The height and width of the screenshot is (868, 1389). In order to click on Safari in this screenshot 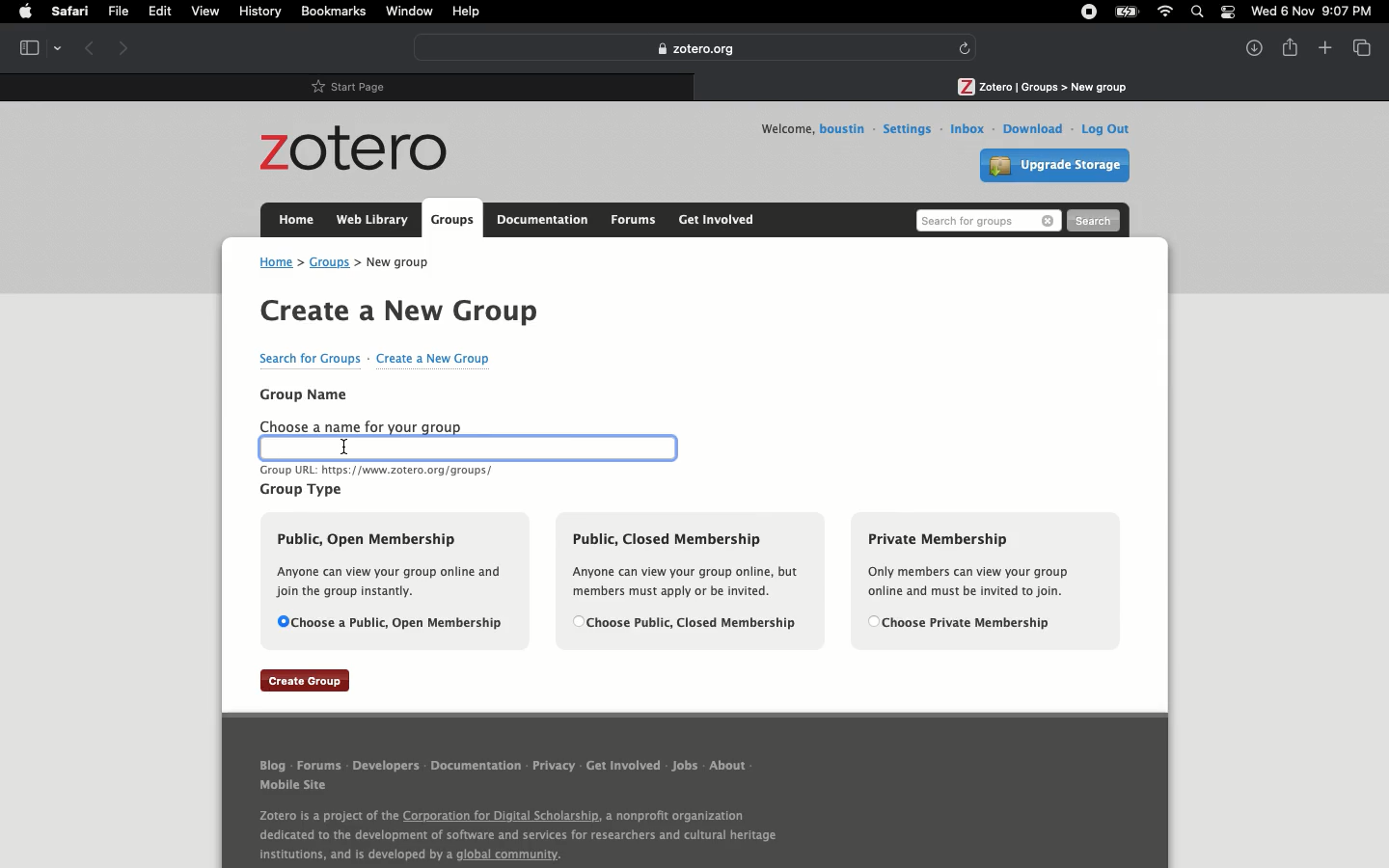, I will do `click(72, 12)`.